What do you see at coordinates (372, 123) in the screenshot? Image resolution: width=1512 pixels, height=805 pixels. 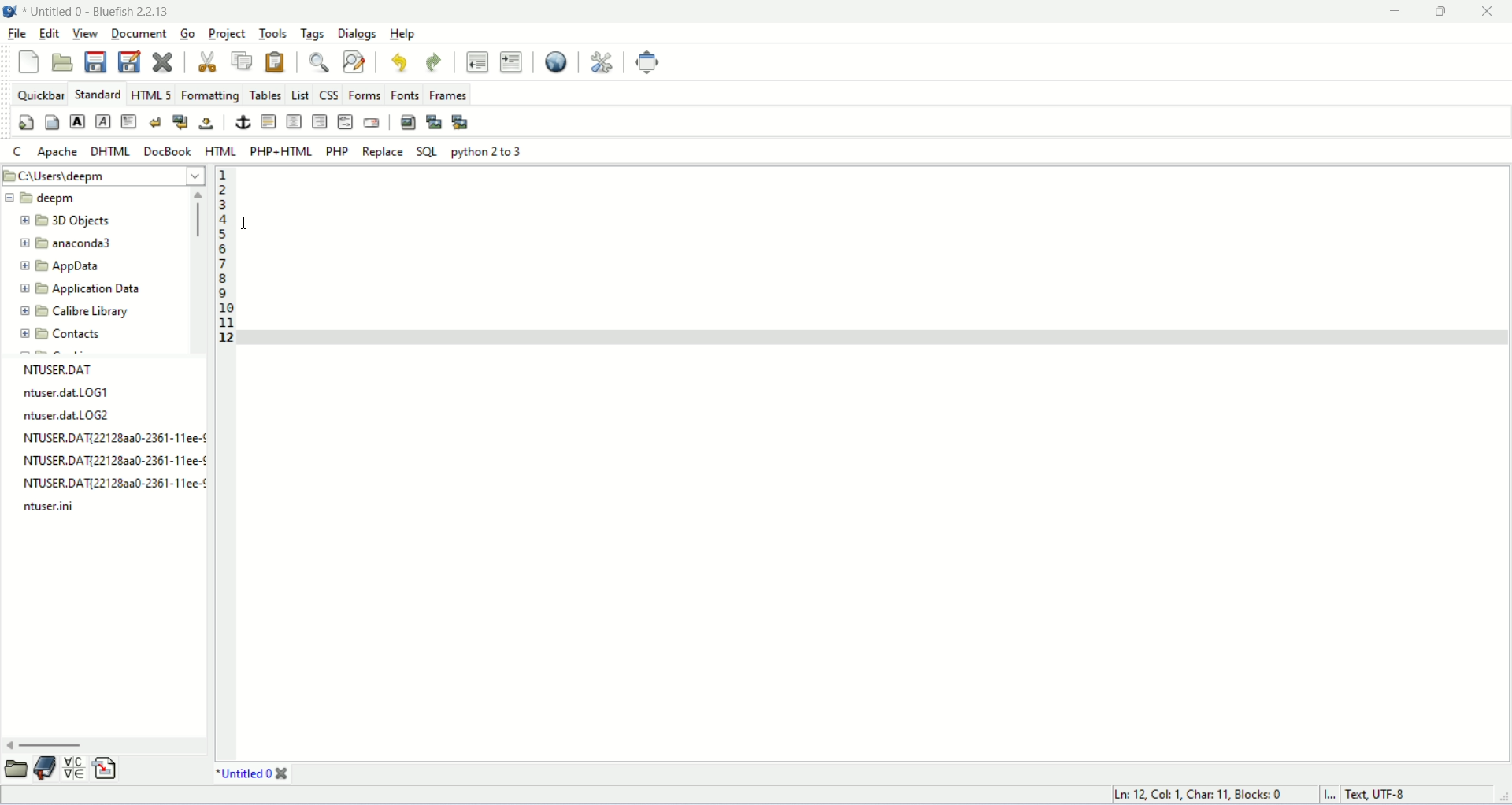 I see `email` at bounding box center [372, 123].